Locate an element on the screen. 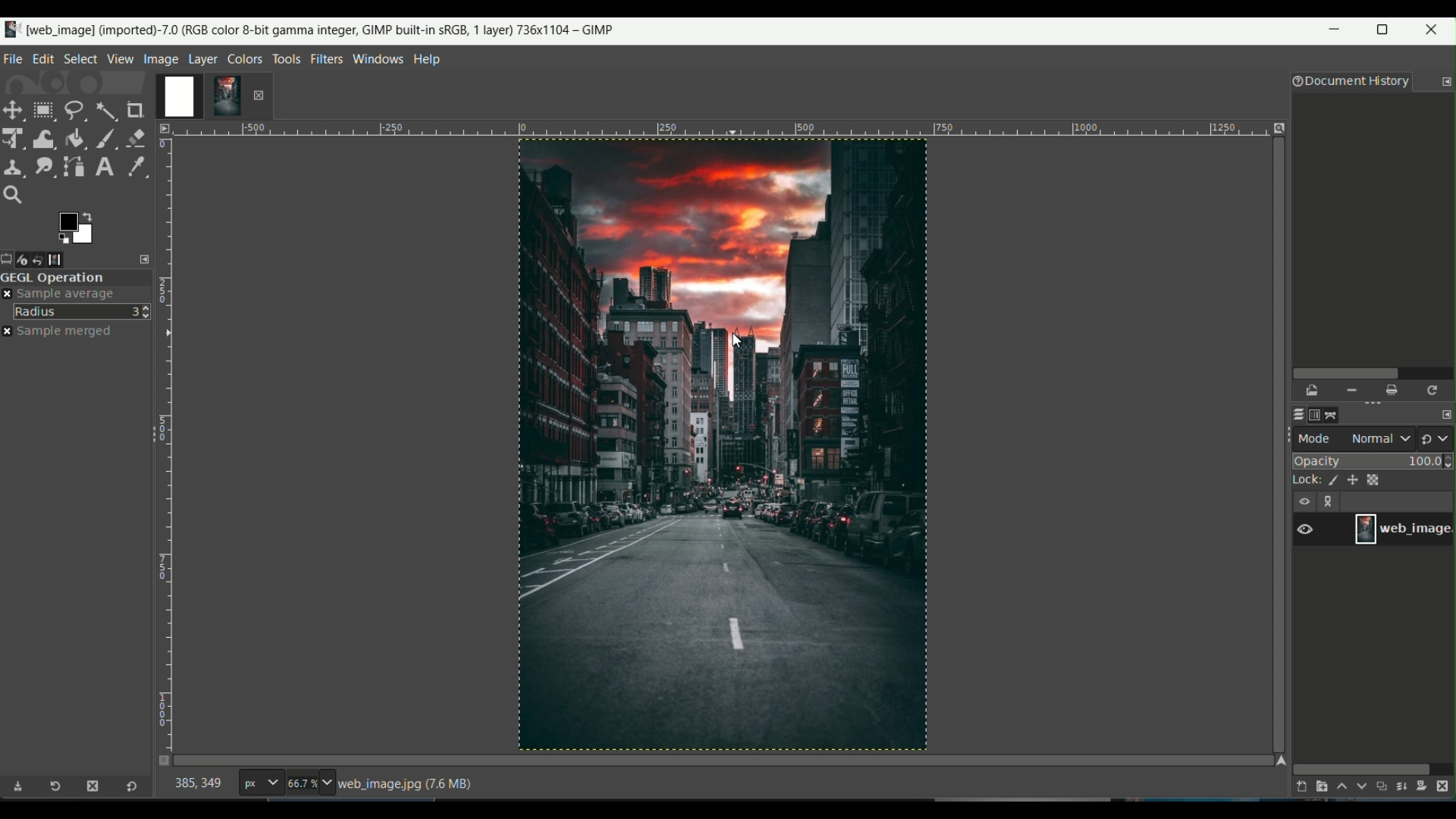 The width and height of the screenshot is (1456, 819). opacity is located at coordinates (1374, 460).